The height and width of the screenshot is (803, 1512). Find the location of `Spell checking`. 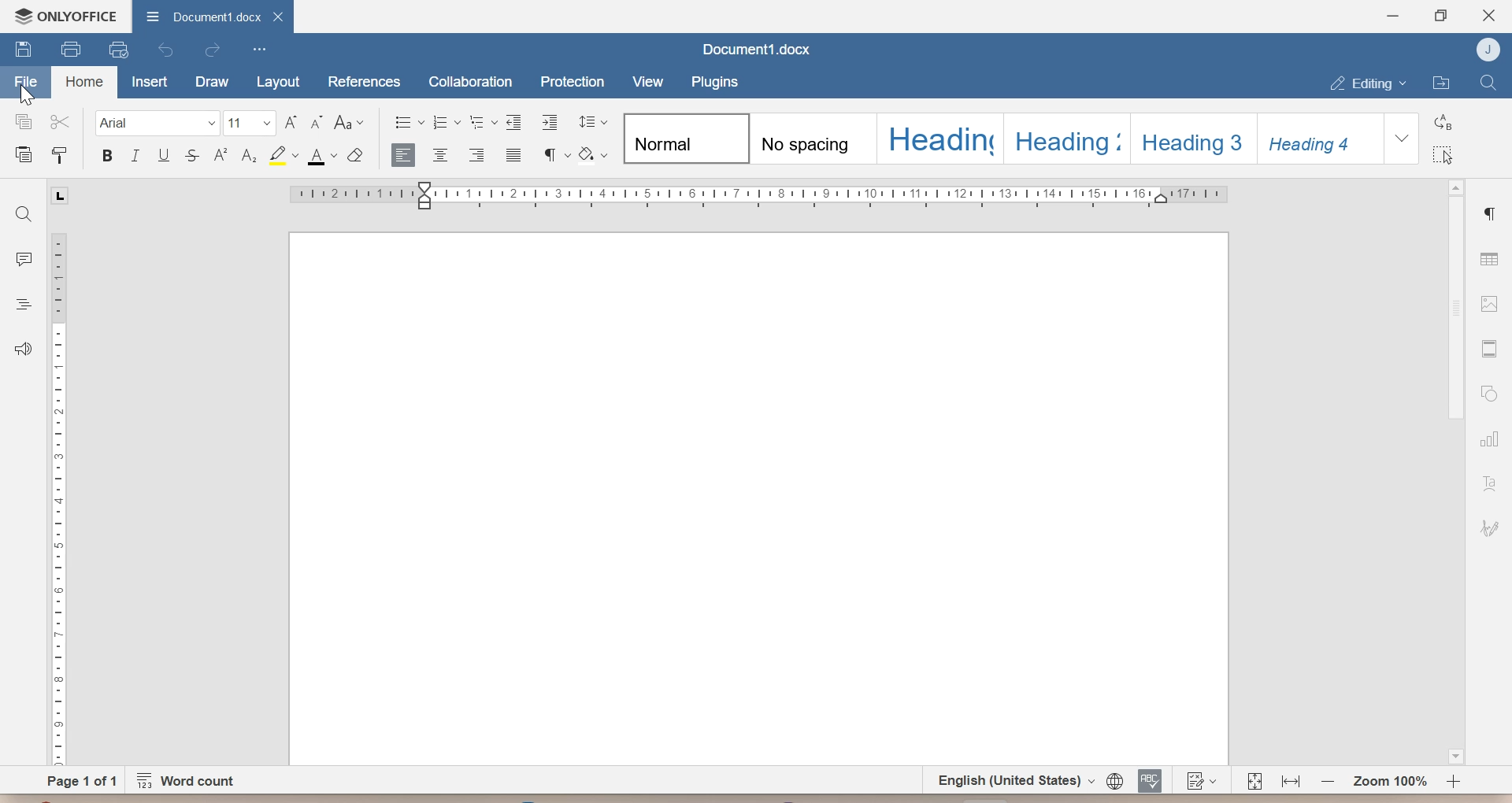

Spell checking is located at coordinates (1151, 779).